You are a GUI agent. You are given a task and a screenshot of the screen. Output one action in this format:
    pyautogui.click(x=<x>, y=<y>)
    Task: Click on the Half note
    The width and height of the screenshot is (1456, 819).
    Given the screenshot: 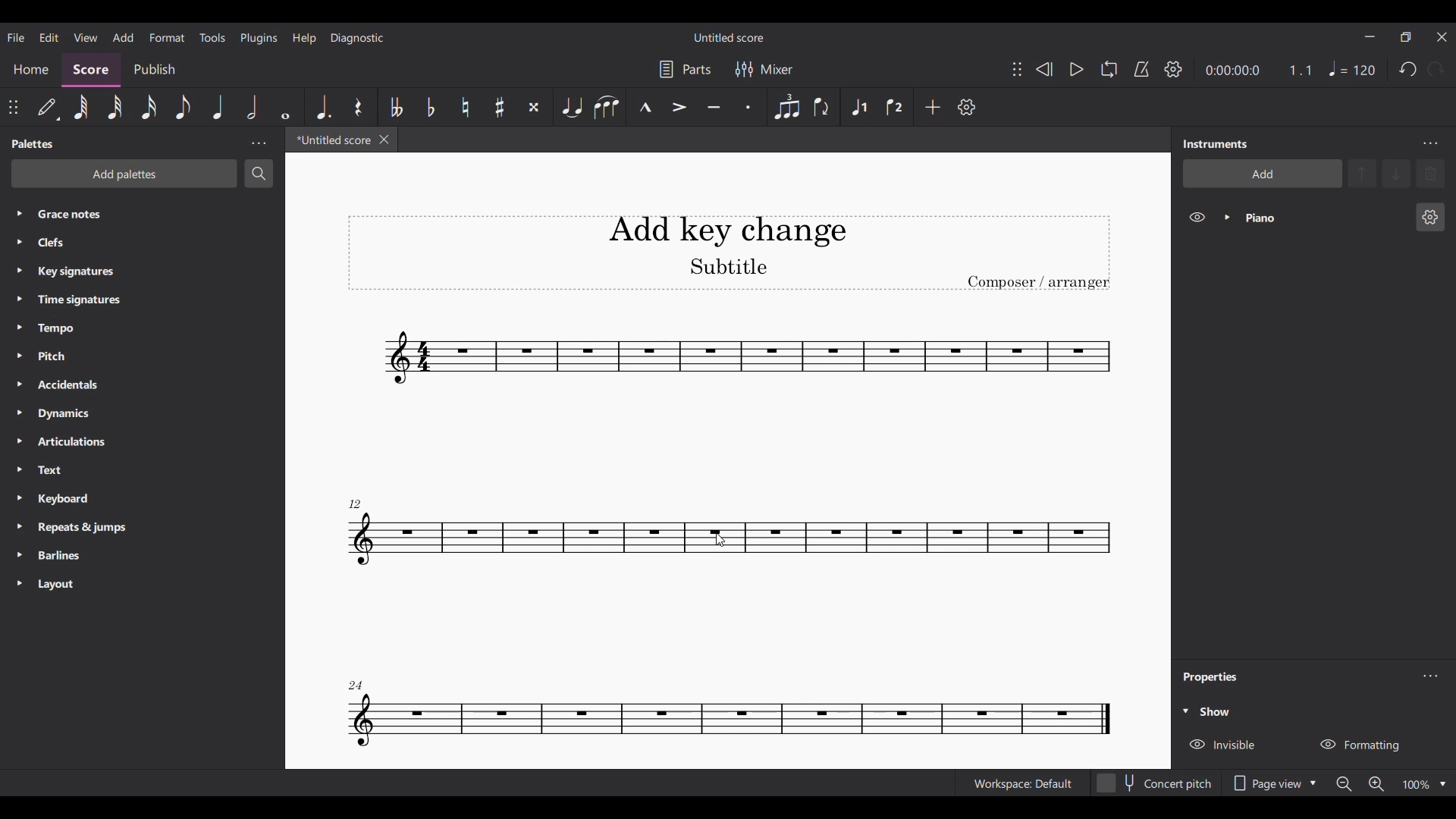 What is the action you would take?
    pyautogui.click(x=253, y=107)
    